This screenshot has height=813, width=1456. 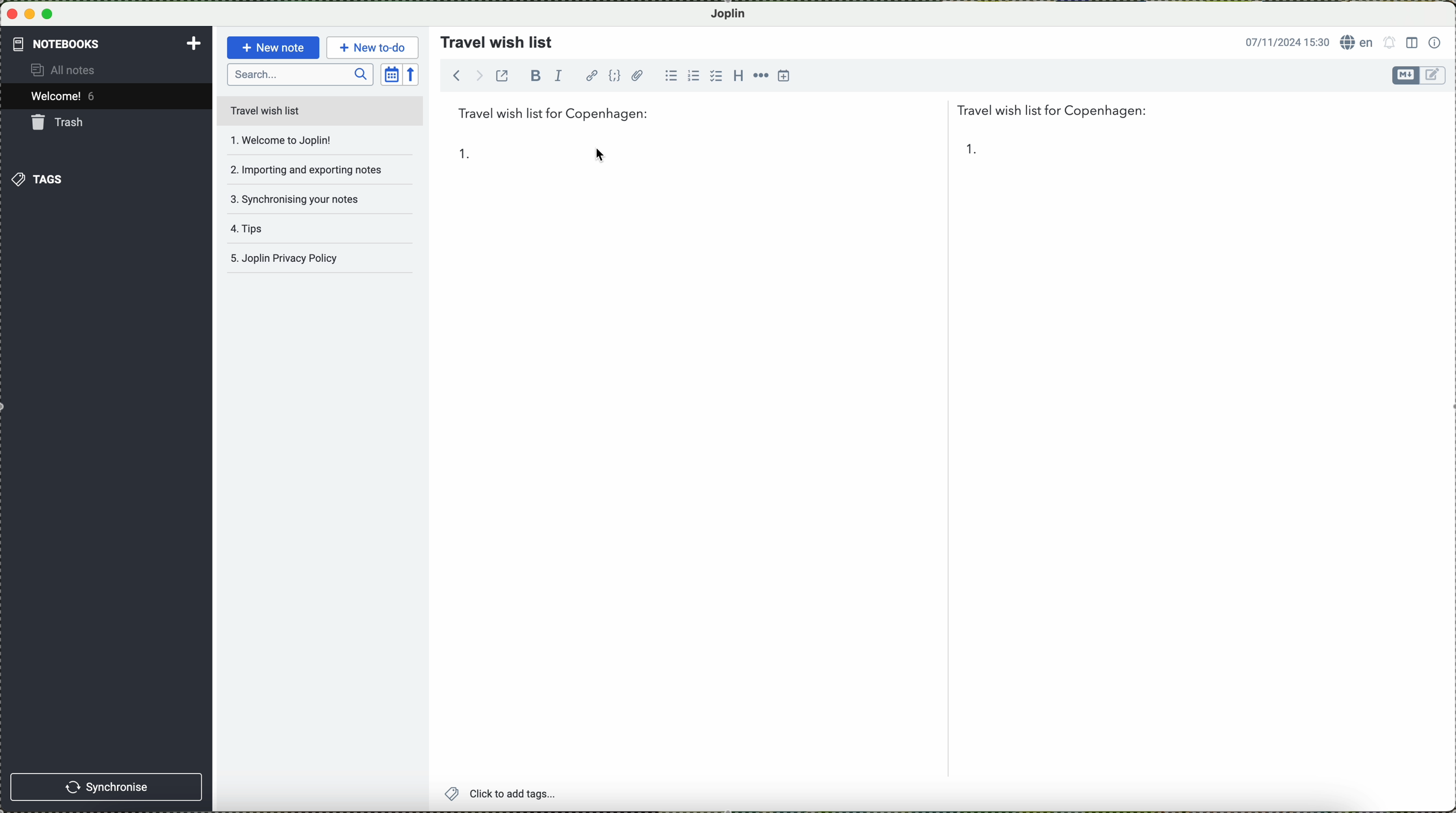 What do you see at coordinates (1411, 43) in the screenshot?
I see `toggle editor layout` at bounding box center [1411, 43].